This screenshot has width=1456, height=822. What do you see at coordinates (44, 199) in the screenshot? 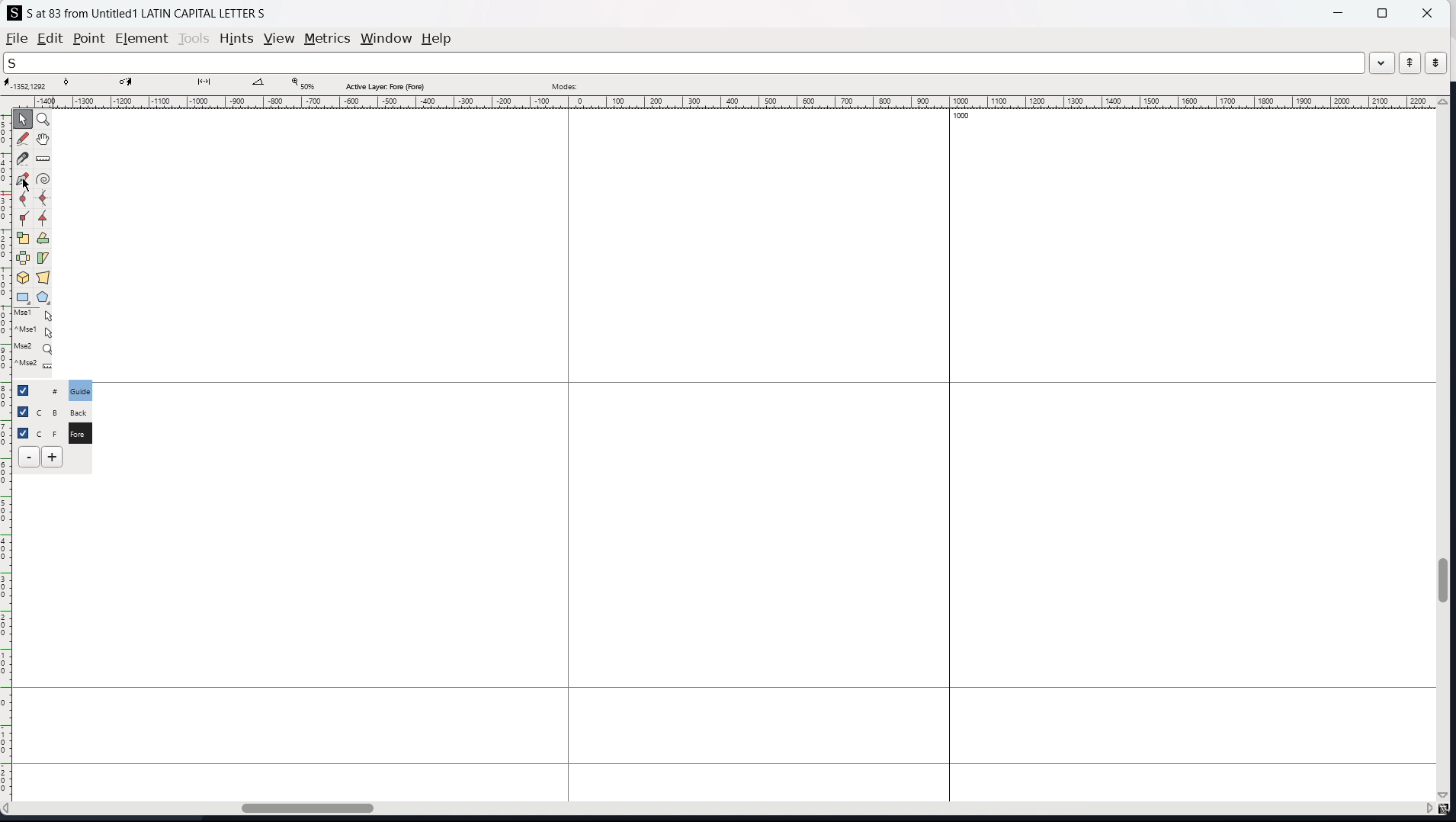
I see `add a curve point always either vertically or horizontally` at bounding box center [44, 199].